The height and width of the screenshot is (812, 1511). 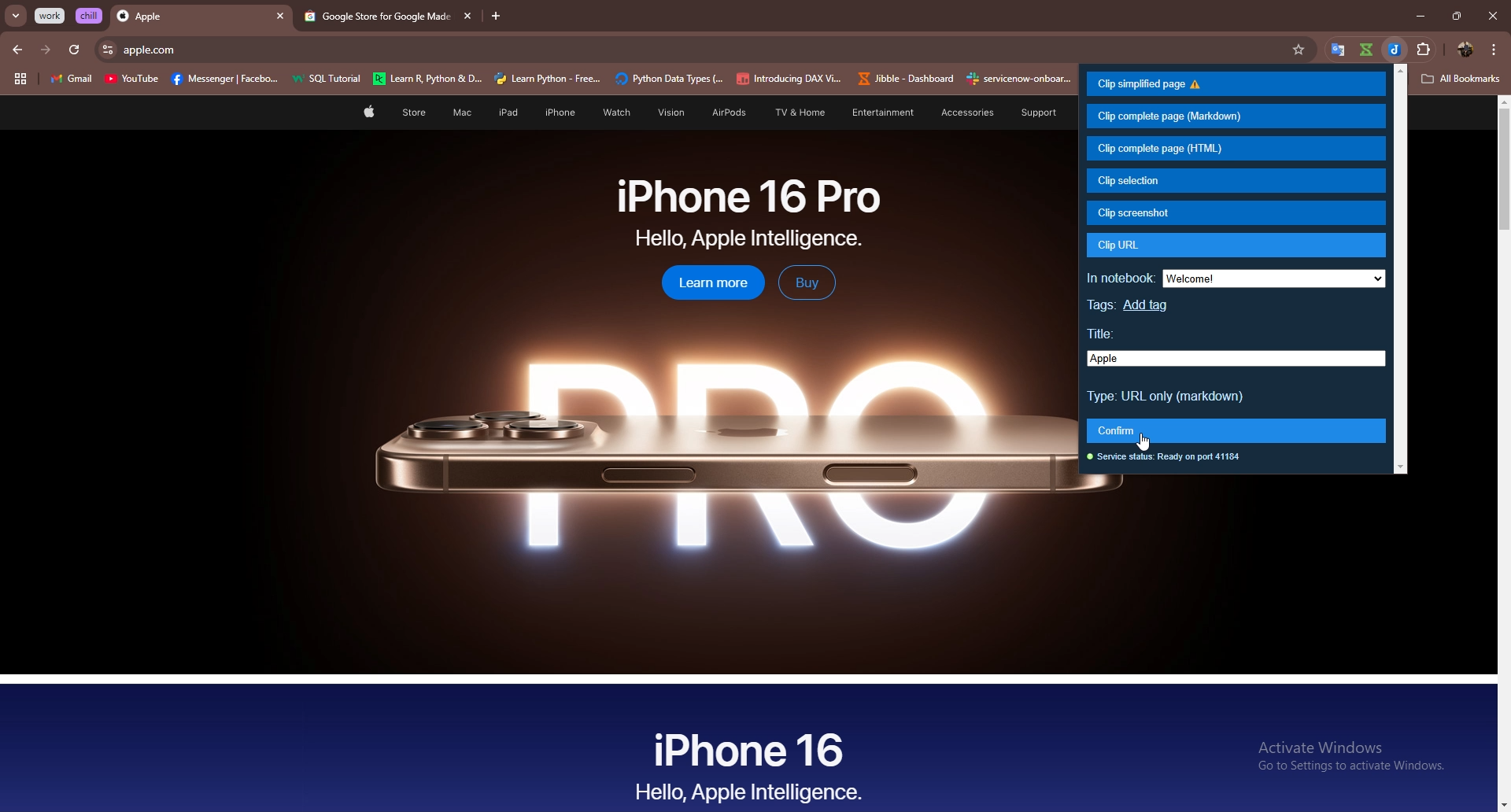 I want to click on apple.com, so click(x=704, y=50).